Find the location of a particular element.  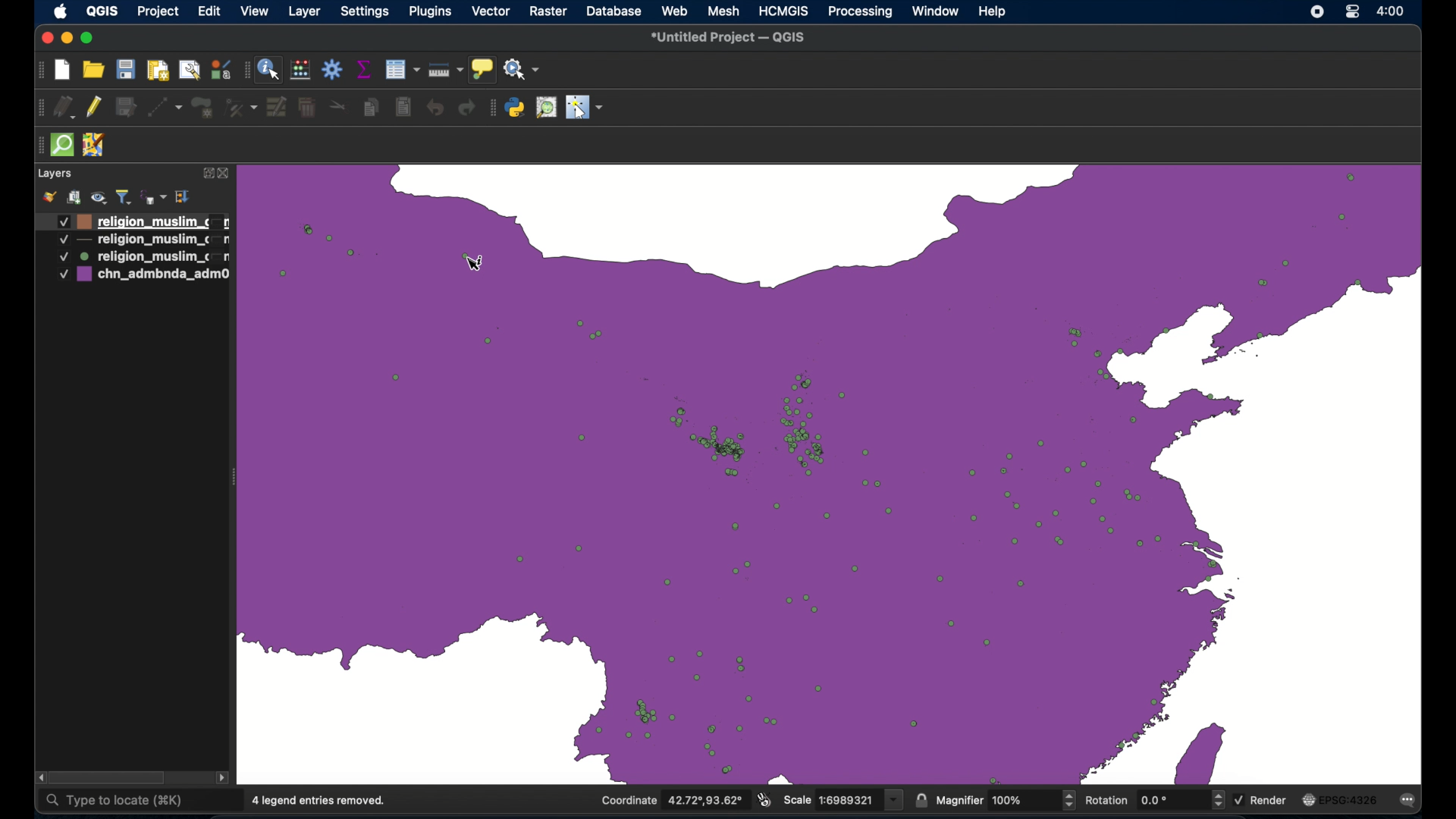

plugins toolbar is located at coordinates (493, 108).